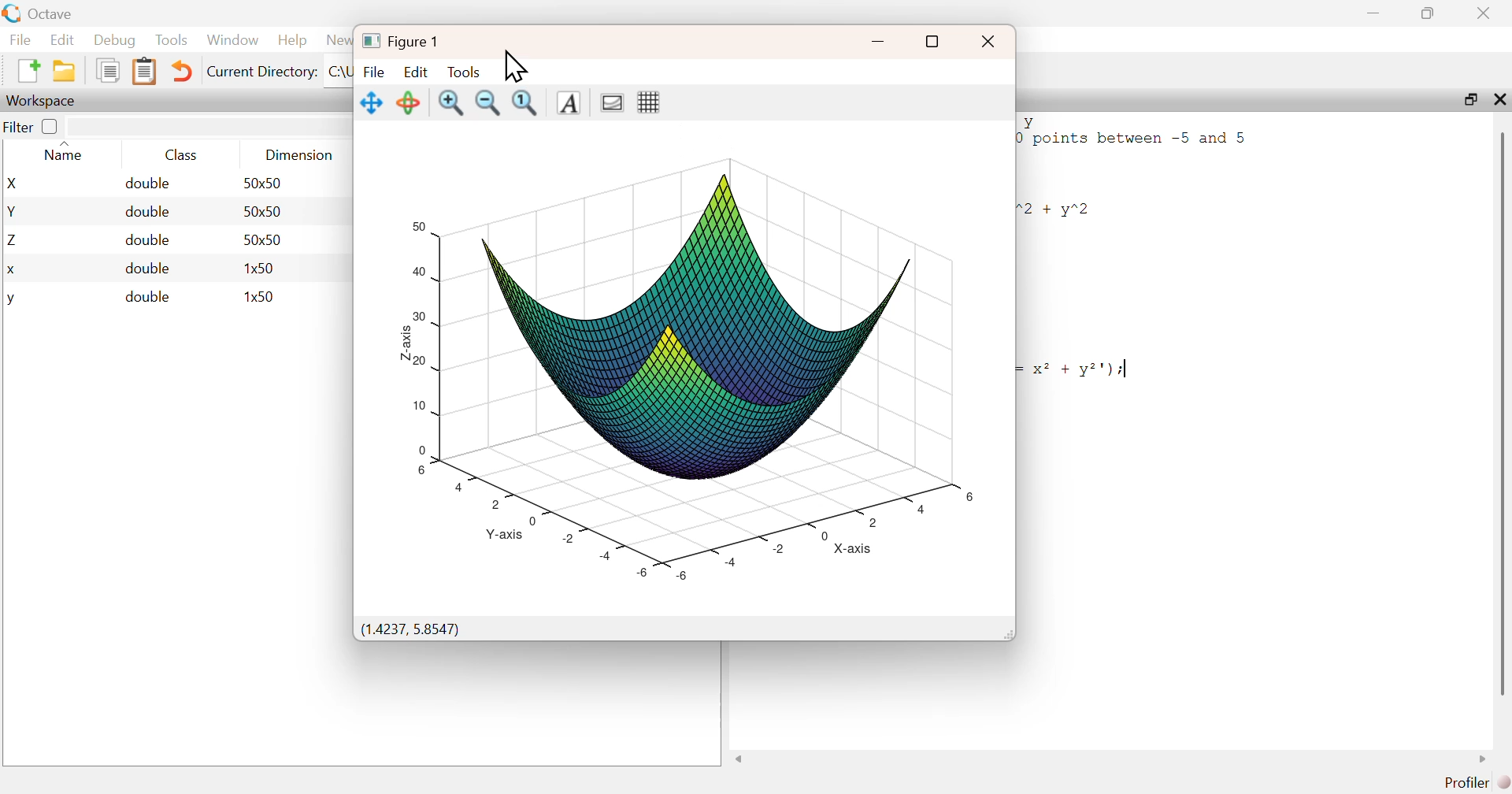 The width and height of the screenshot is (1512, 794). What do you see at coordinates (1502, 413) in the screenshot?
I see `scroll bar` at bounding box center [1502, 413].